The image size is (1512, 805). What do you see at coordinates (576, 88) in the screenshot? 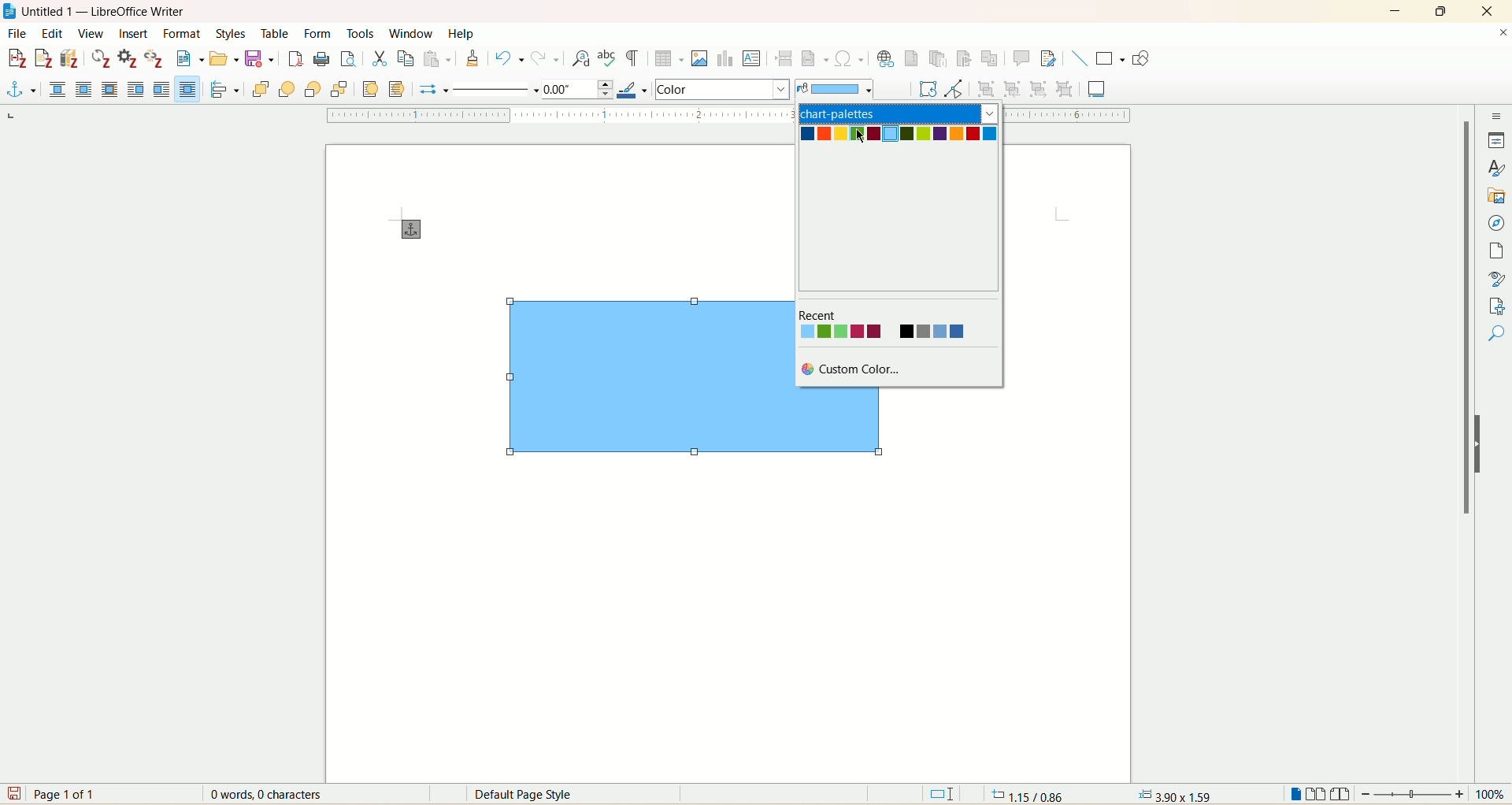
I see `line thickness` at bounding box center [576, 88].